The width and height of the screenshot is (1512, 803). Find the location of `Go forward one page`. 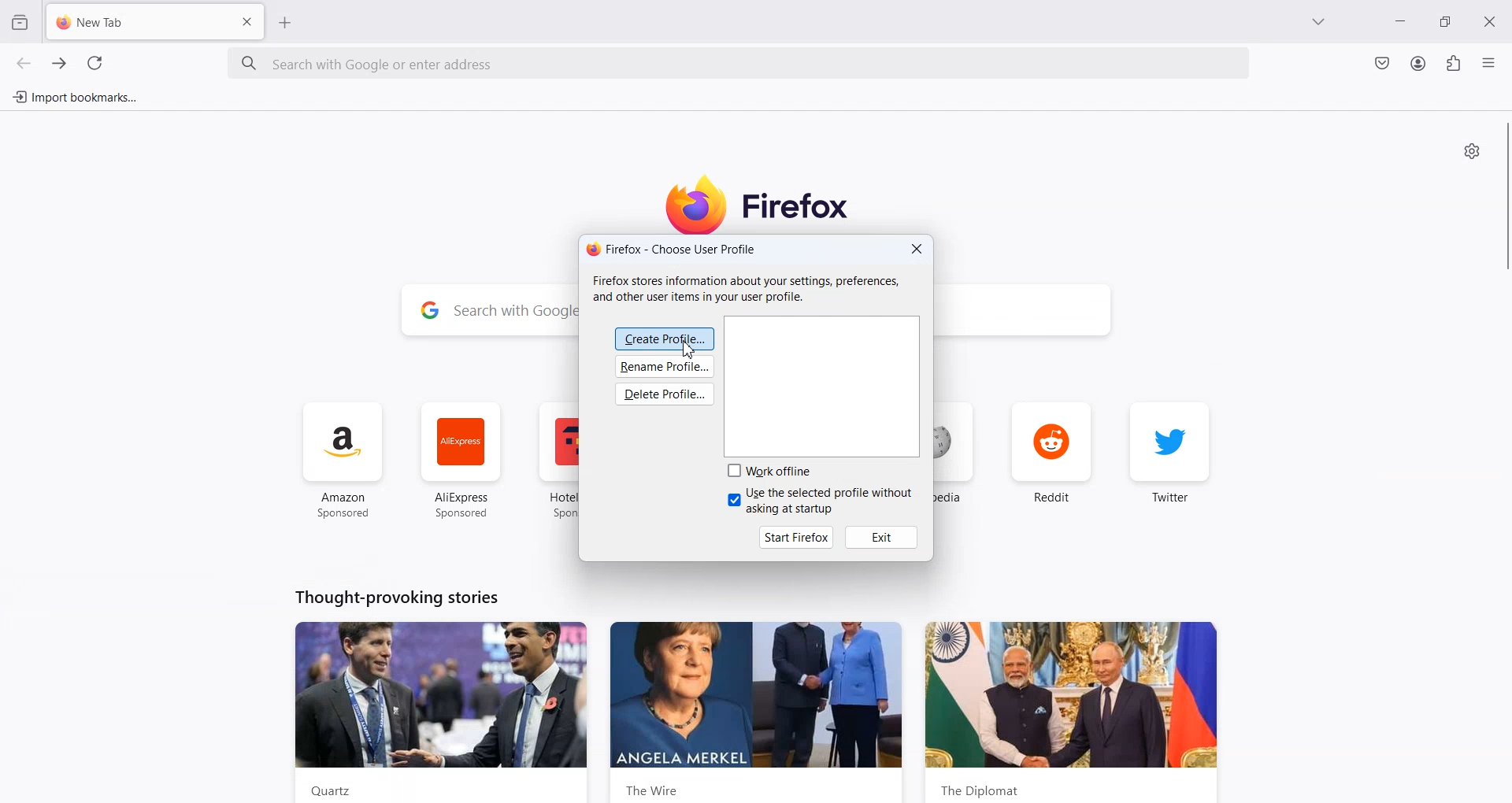

Go forward one page is located at coordinates (57, 63).